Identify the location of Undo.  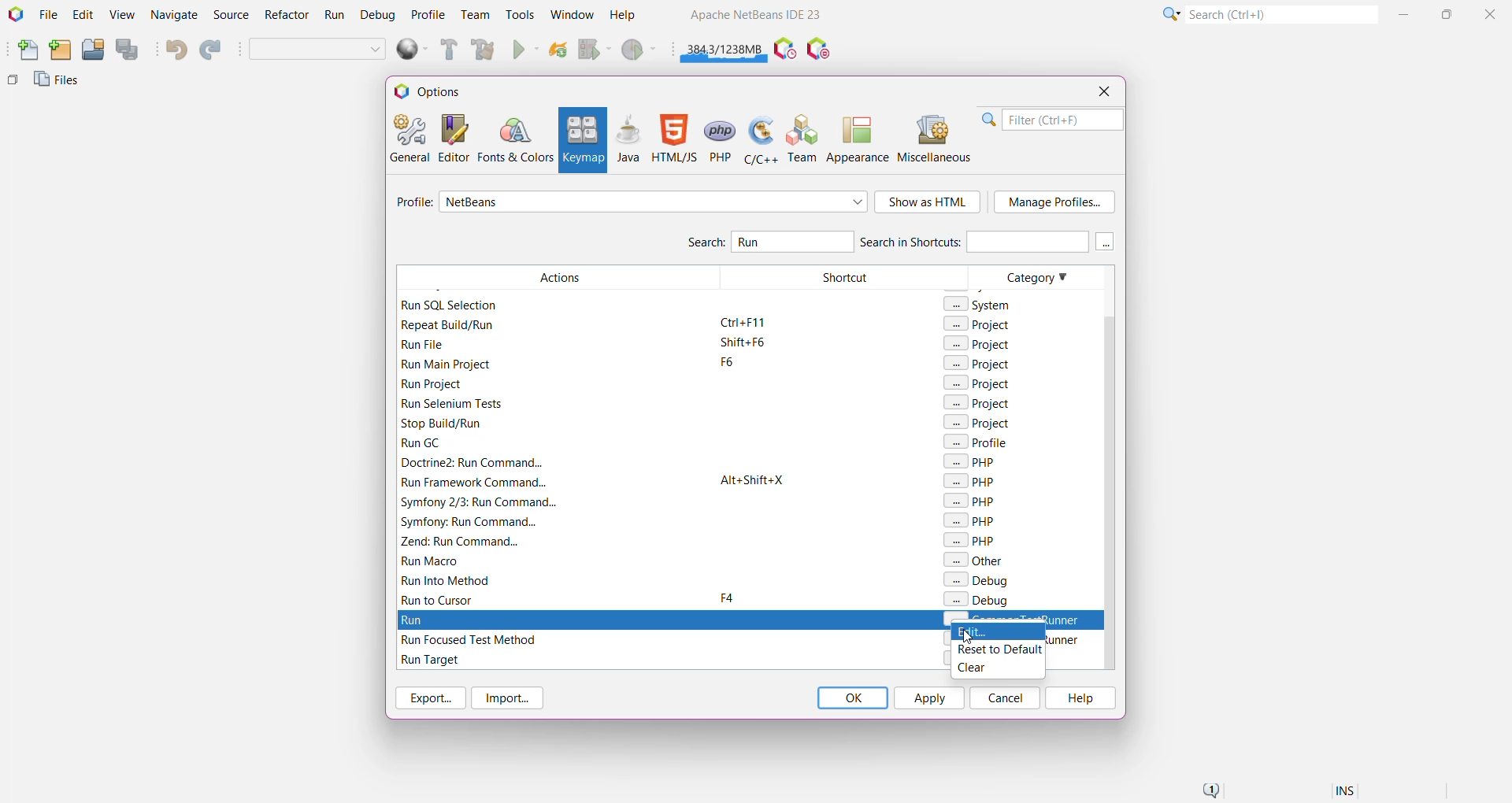
(175, 50).